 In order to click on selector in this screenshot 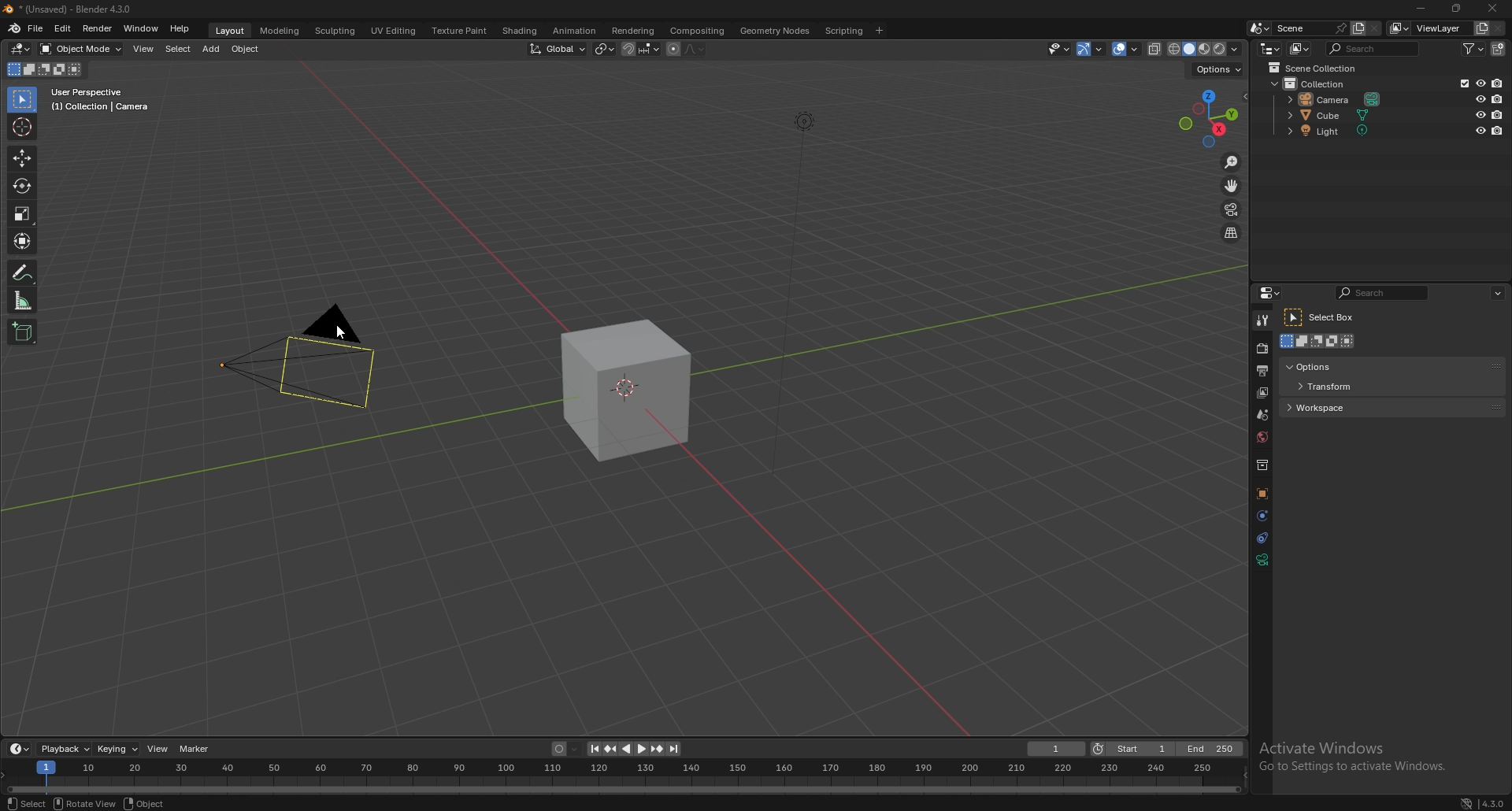, I will do `click(22, 100)`.